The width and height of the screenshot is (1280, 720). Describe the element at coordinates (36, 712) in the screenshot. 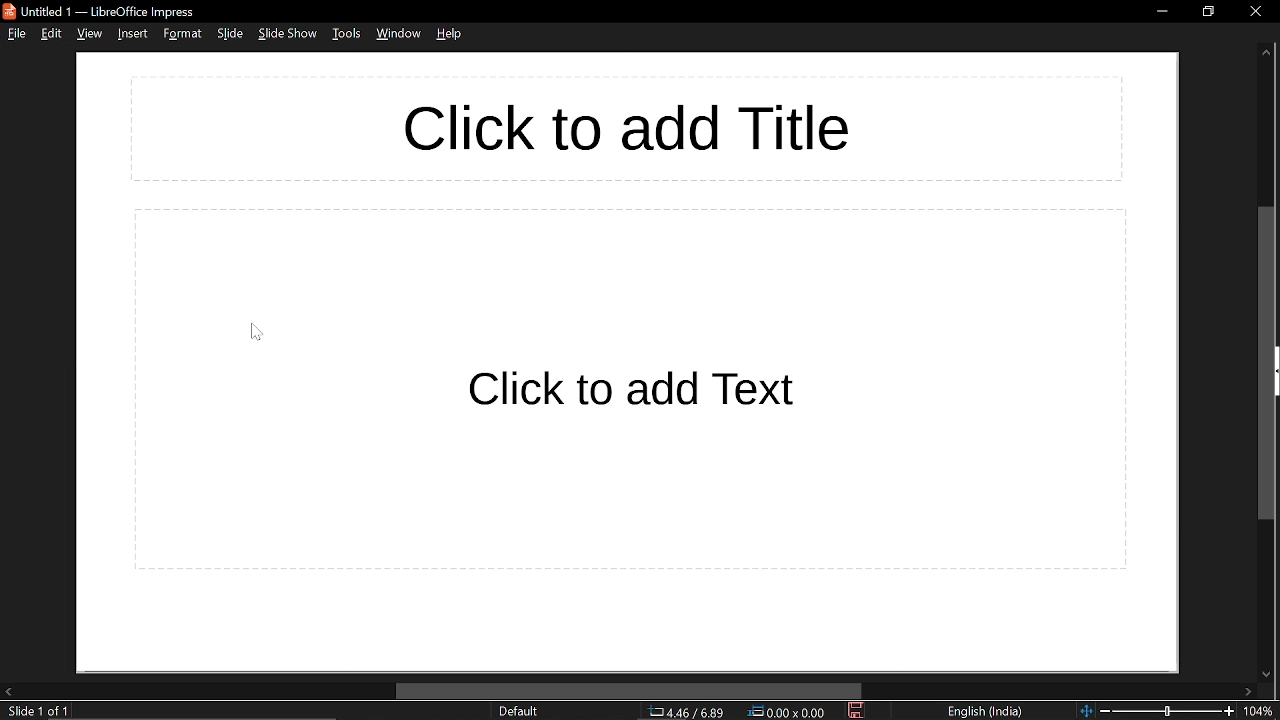

I see `current slide` at that location.